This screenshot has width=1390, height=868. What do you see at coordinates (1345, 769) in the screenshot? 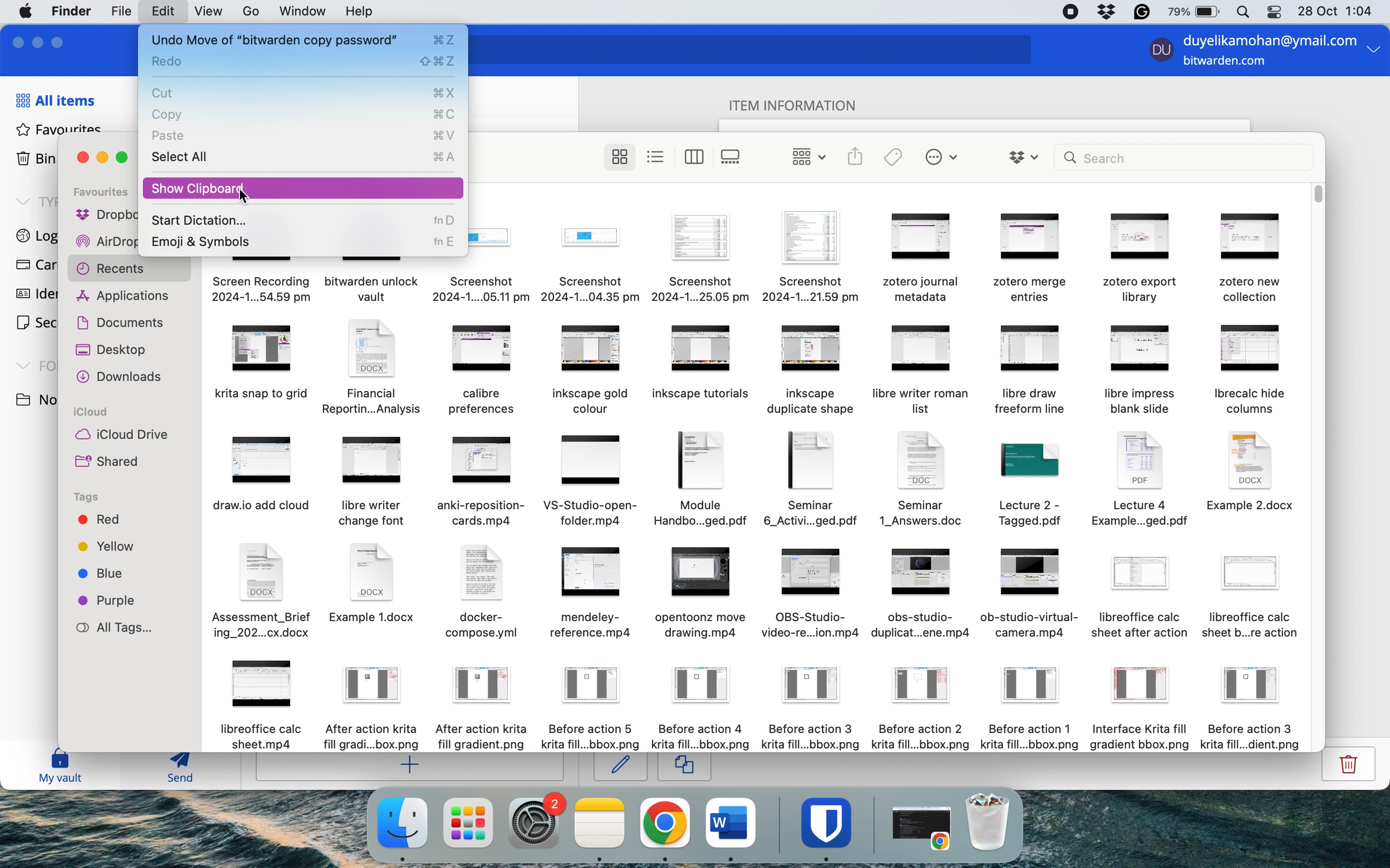
I see `delete` at bounding box center [1345, 769].